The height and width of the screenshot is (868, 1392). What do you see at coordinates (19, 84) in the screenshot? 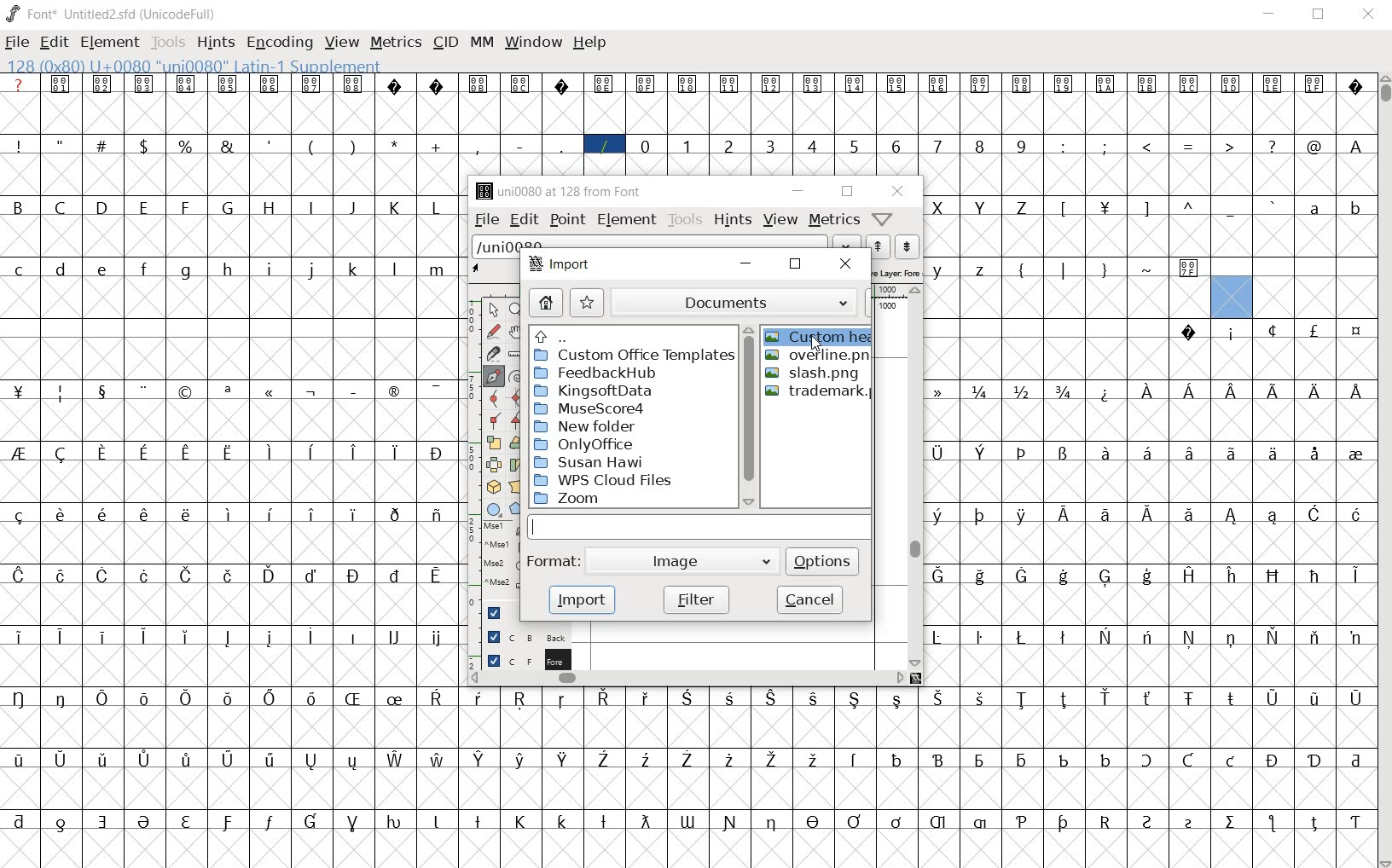
I see `Glyph` at bounding box center [19, 84].